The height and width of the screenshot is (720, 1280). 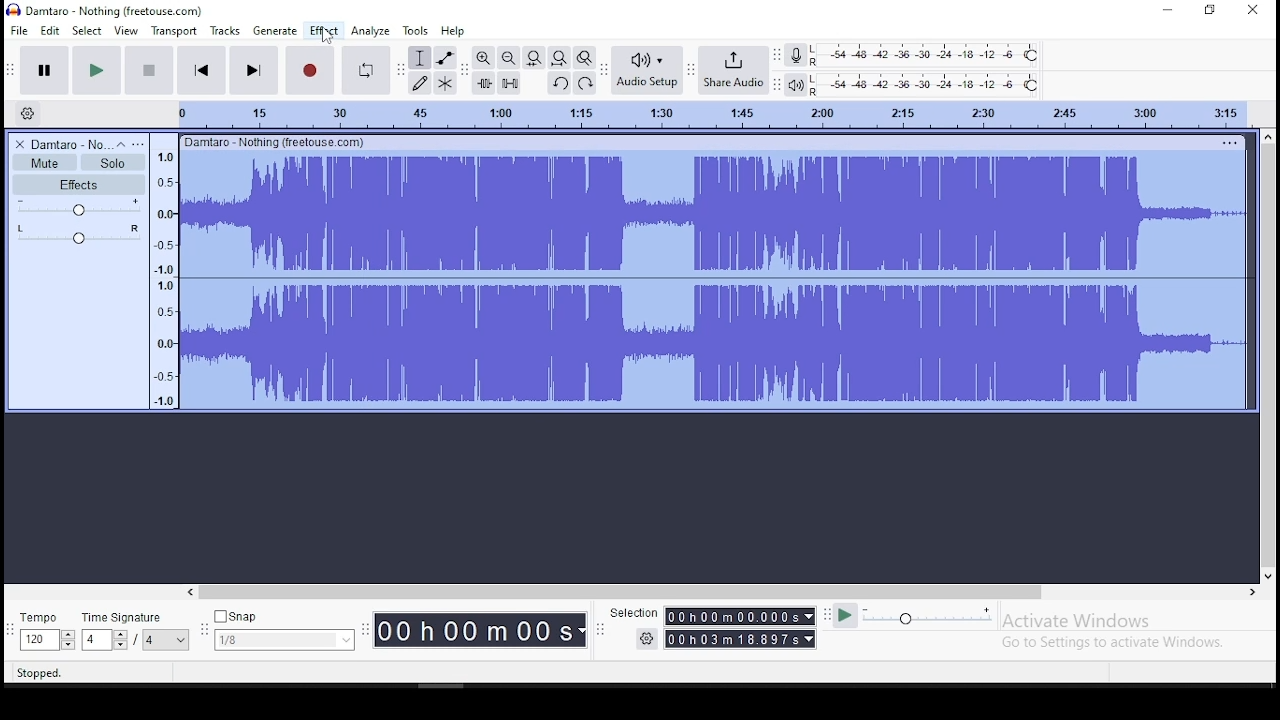 I want to click on tracks, so click(x=224, y=31).